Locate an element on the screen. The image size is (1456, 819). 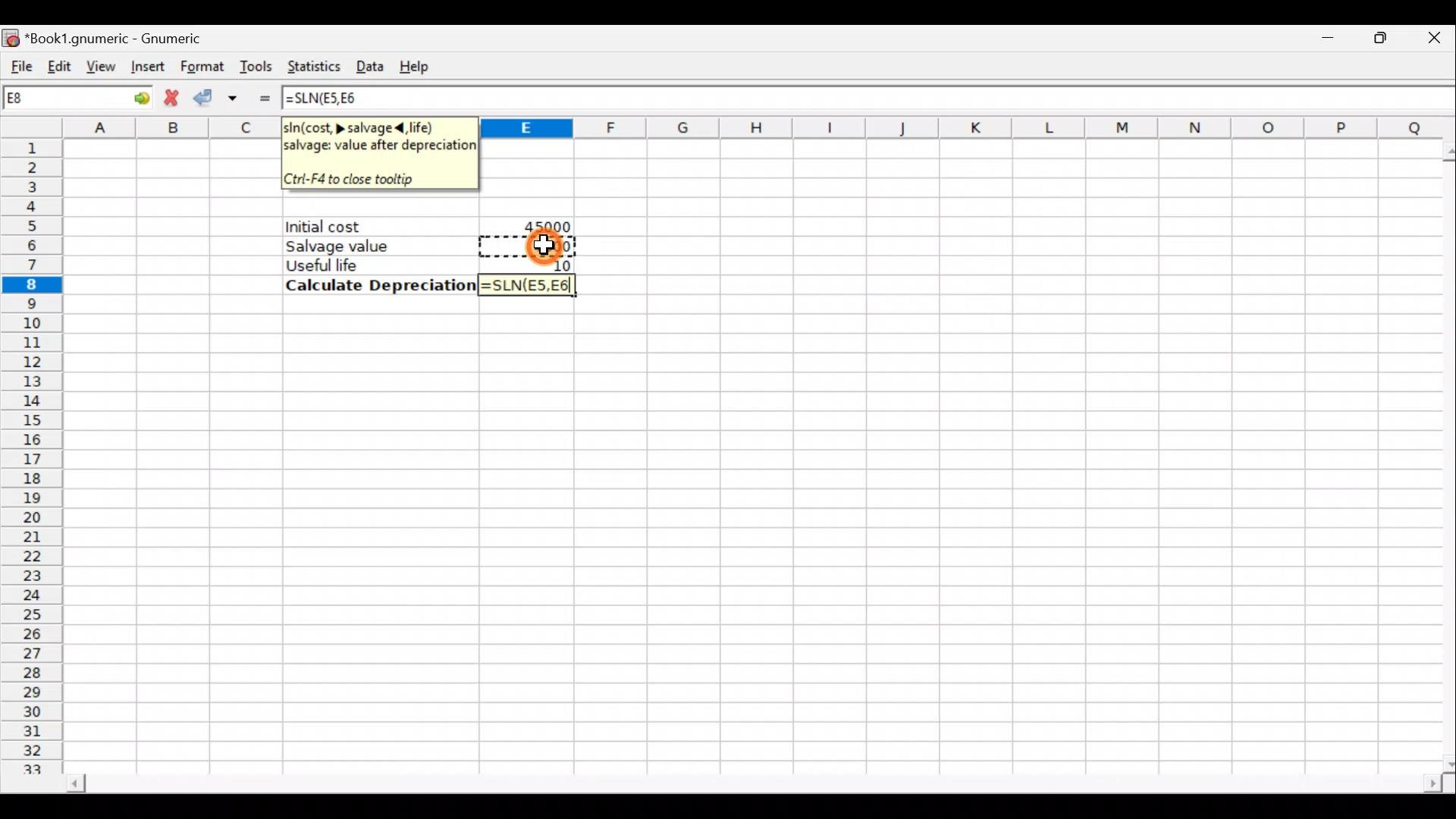
Close is located at coordinates (1425, 42).